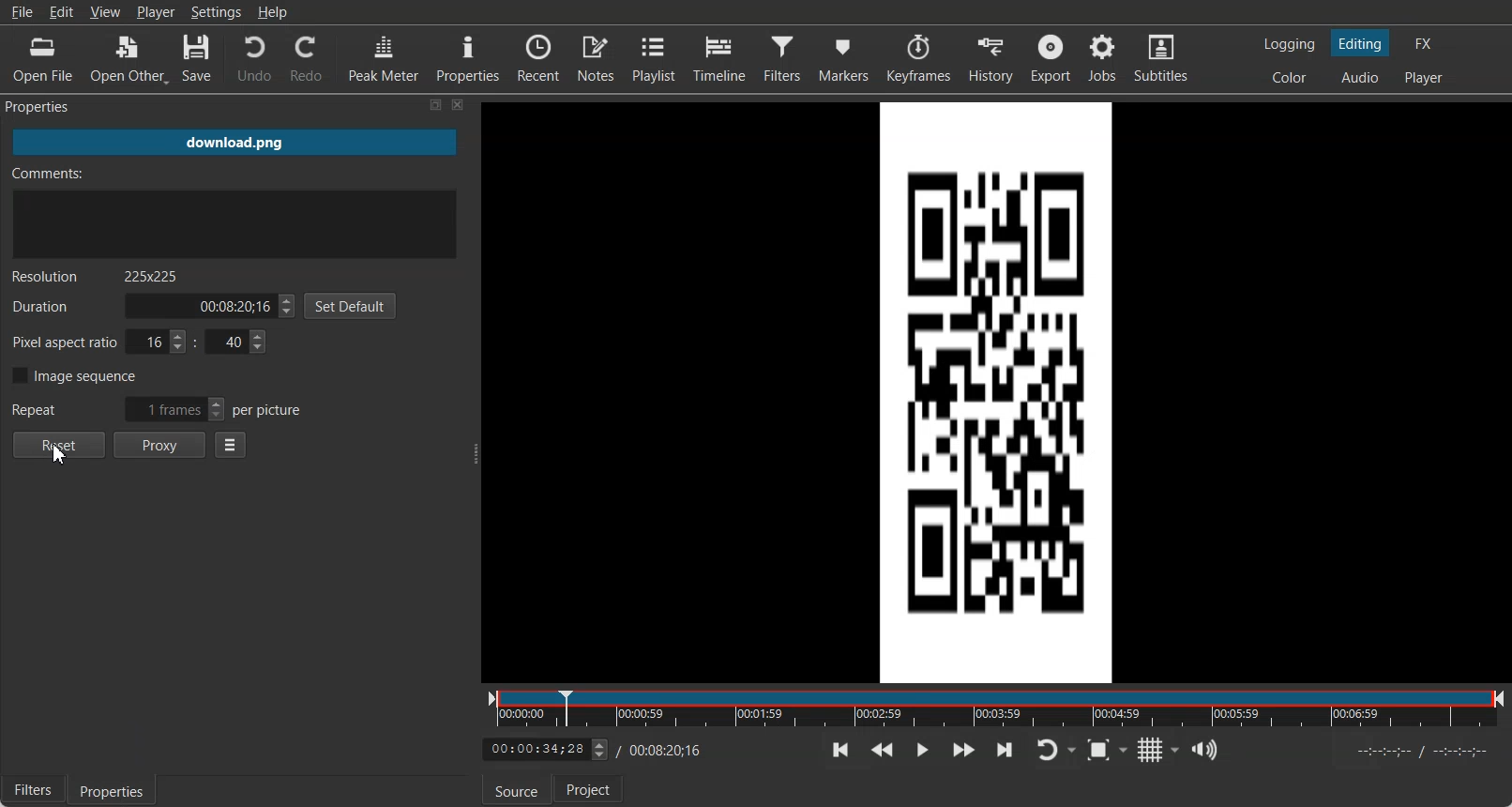  Describe the element at coordinates (32, 789) in the screenshot. I see `Filters` at that location.